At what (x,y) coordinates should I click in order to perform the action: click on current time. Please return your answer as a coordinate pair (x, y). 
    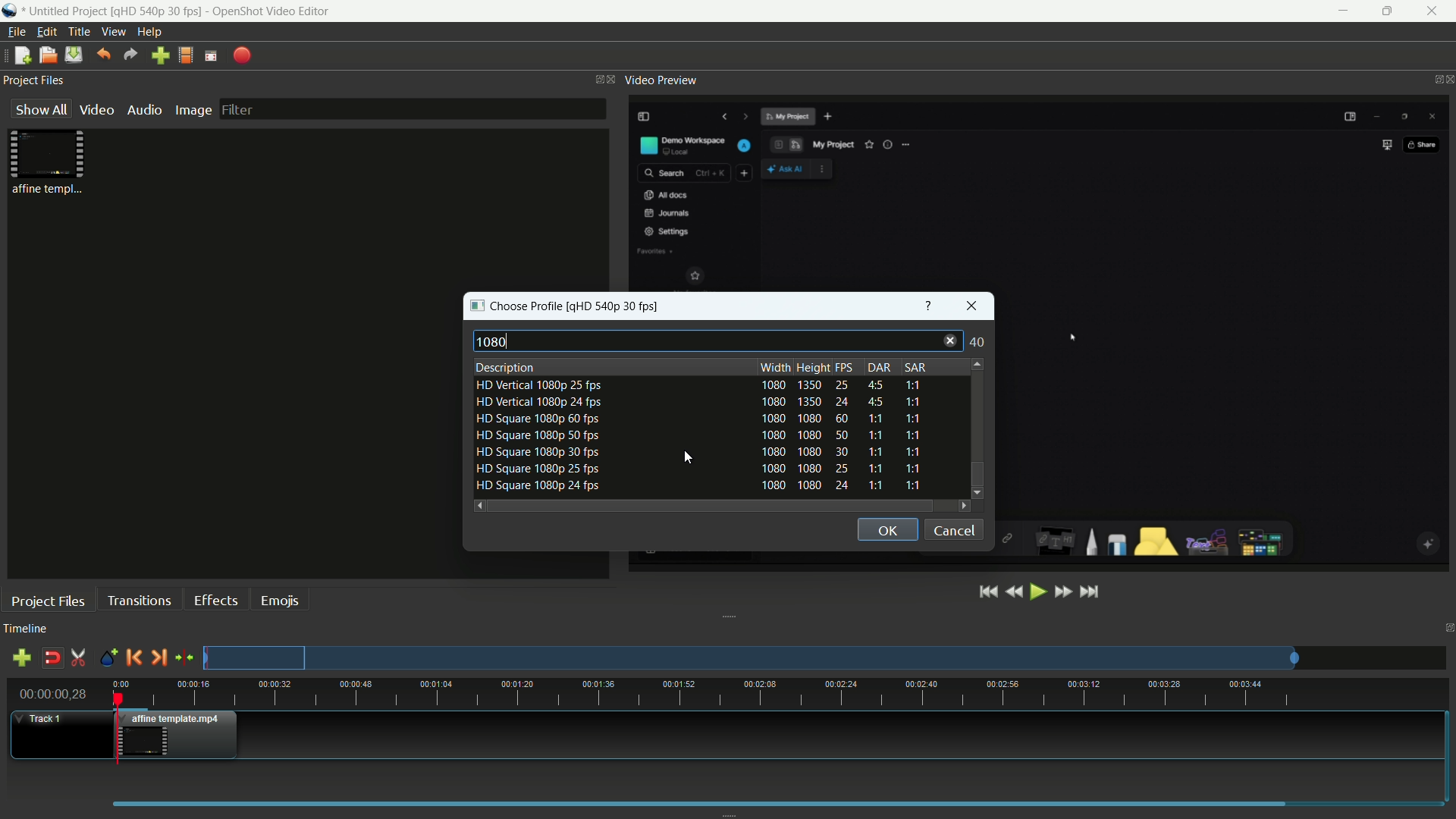
    Looking at the image, I should click on (52, 694).